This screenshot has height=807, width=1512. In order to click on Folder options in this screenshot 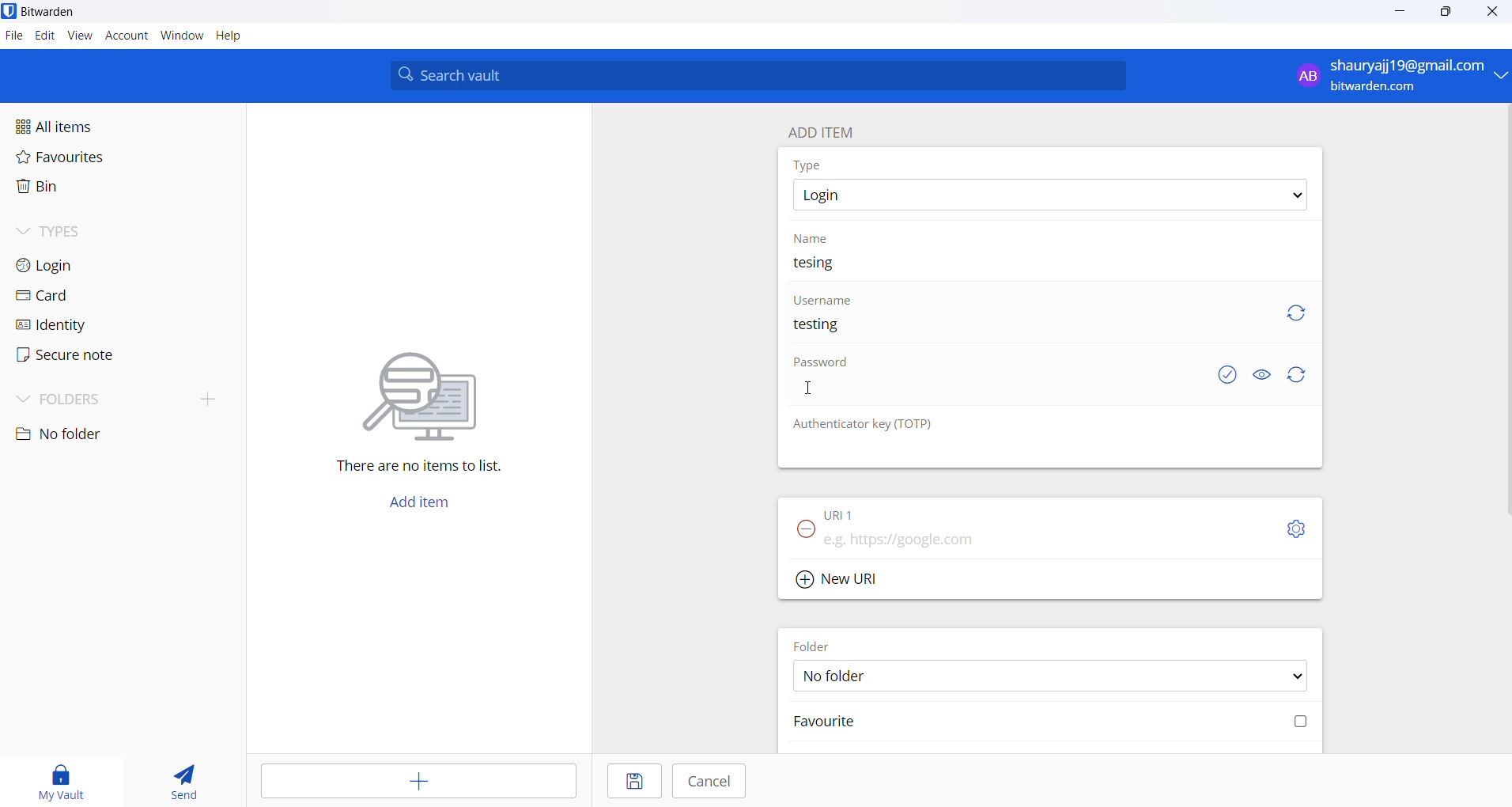, I will do `click(1051, 675)`.